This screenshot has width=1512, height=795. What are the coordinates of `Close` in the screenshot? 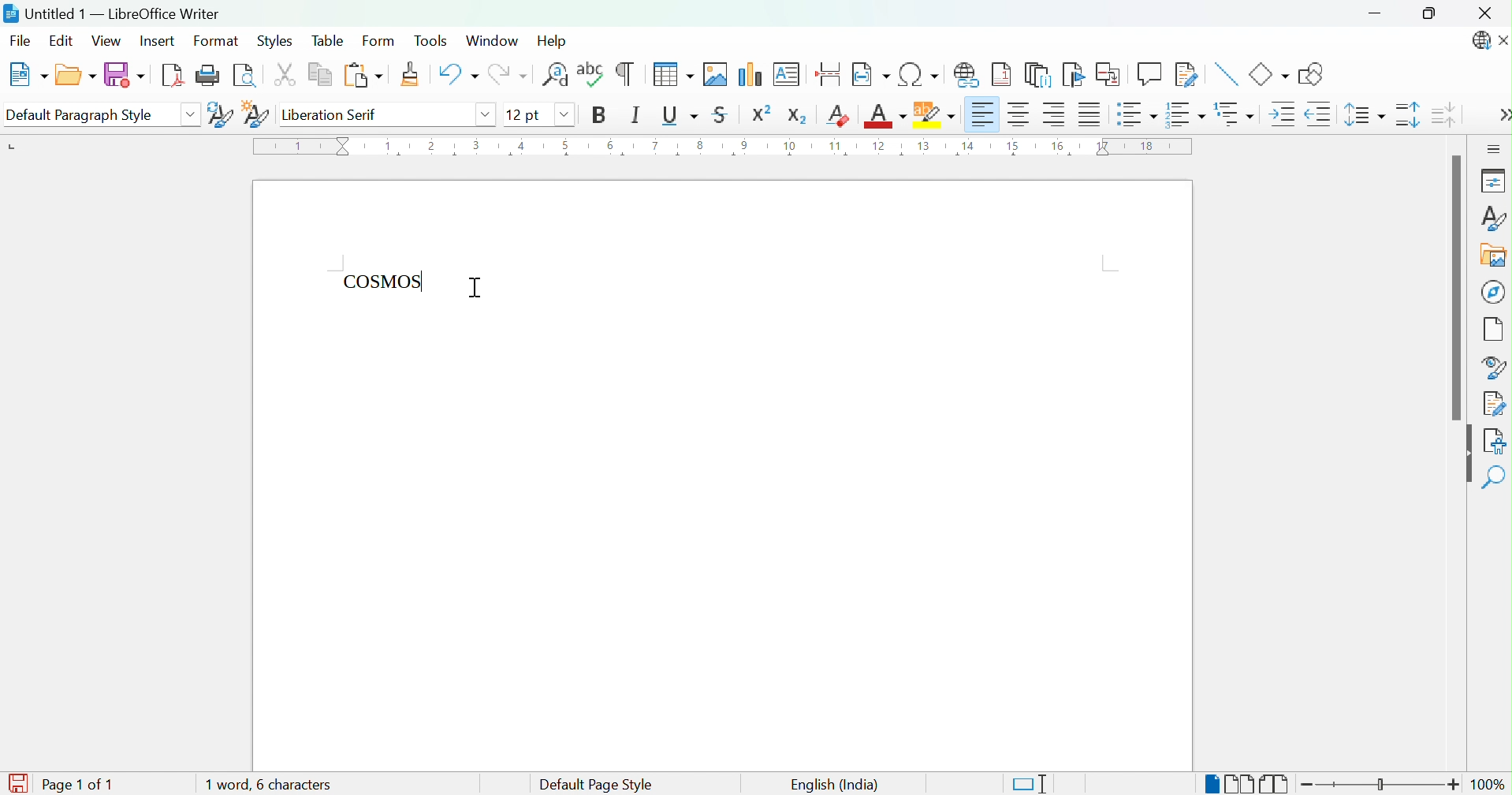 It's located at (1503, 42).